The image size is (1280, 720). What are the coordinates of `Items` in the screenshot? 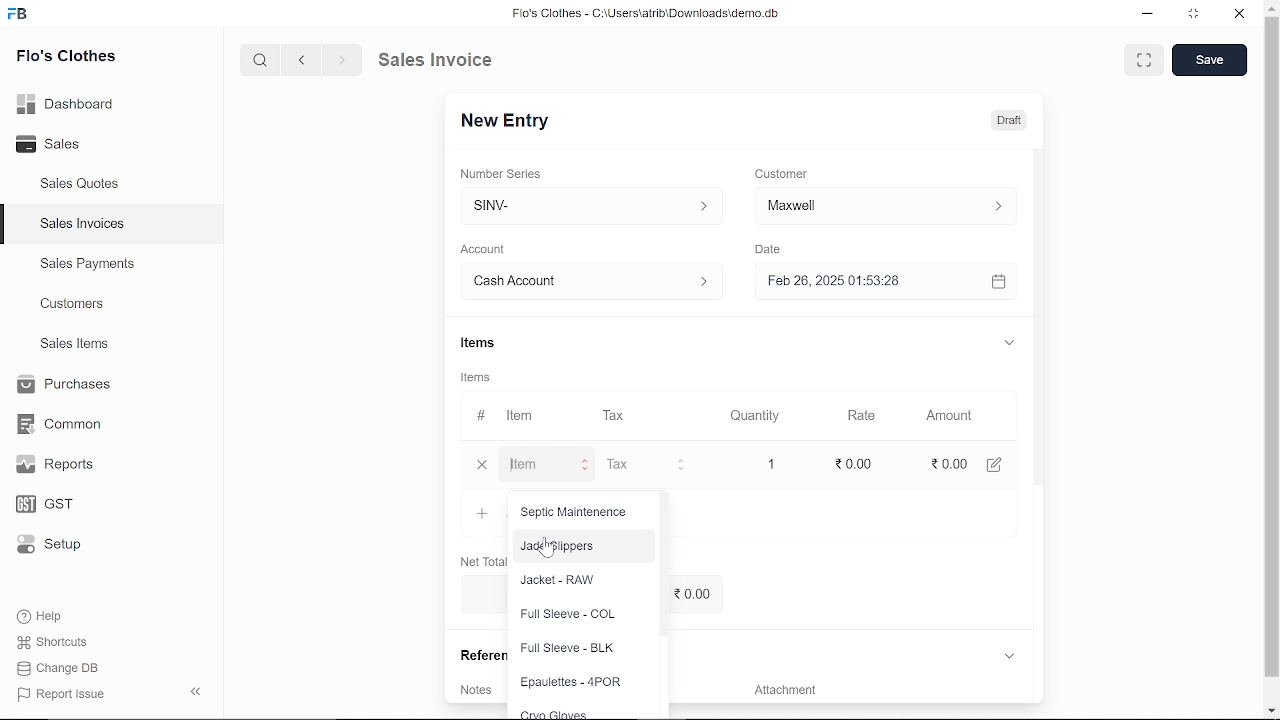 It's located at (485, 345).